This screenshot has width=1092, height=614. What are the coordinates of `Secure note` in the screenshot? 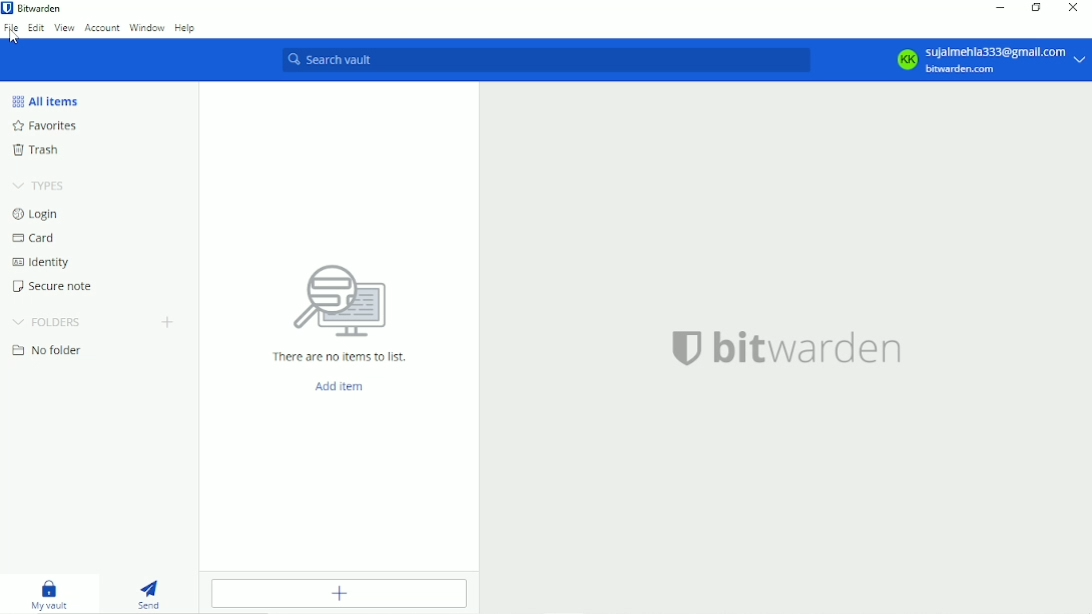 It's located at (53, 287).